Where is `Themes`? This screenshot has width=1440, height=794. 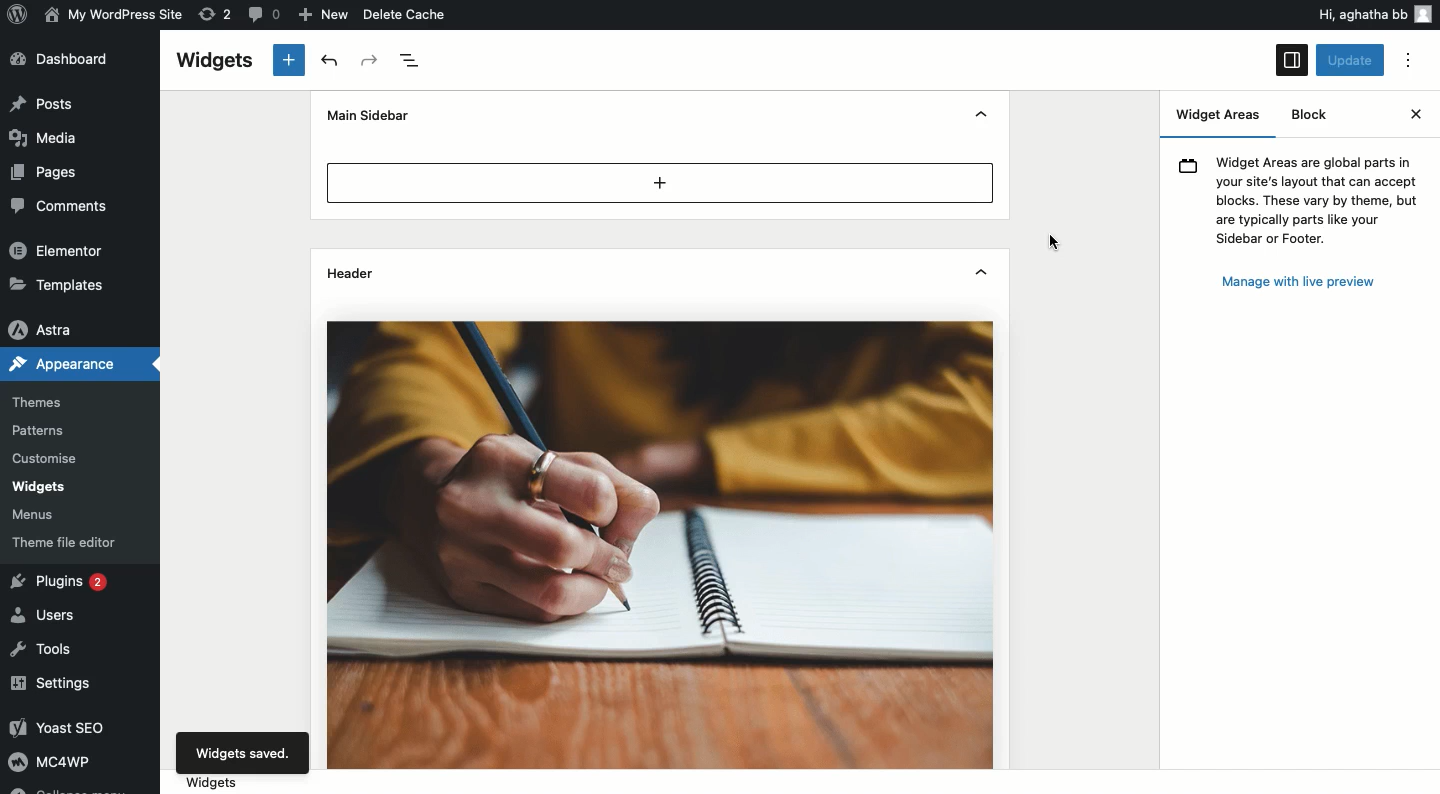 Themes is located at coordinates (37, 403).